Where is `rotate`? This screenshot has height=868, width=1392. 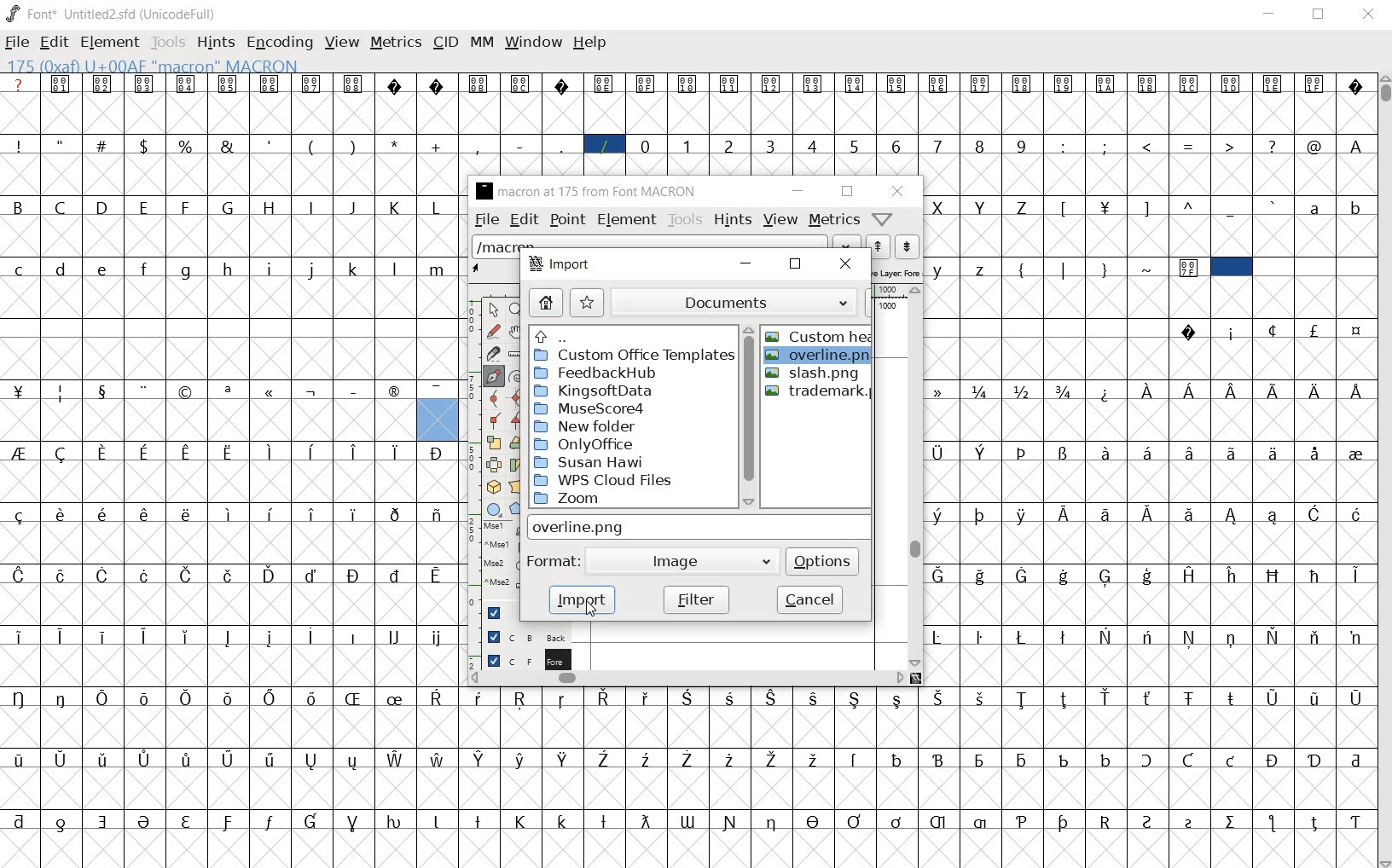
rotate is located at coordinates (516, 442).